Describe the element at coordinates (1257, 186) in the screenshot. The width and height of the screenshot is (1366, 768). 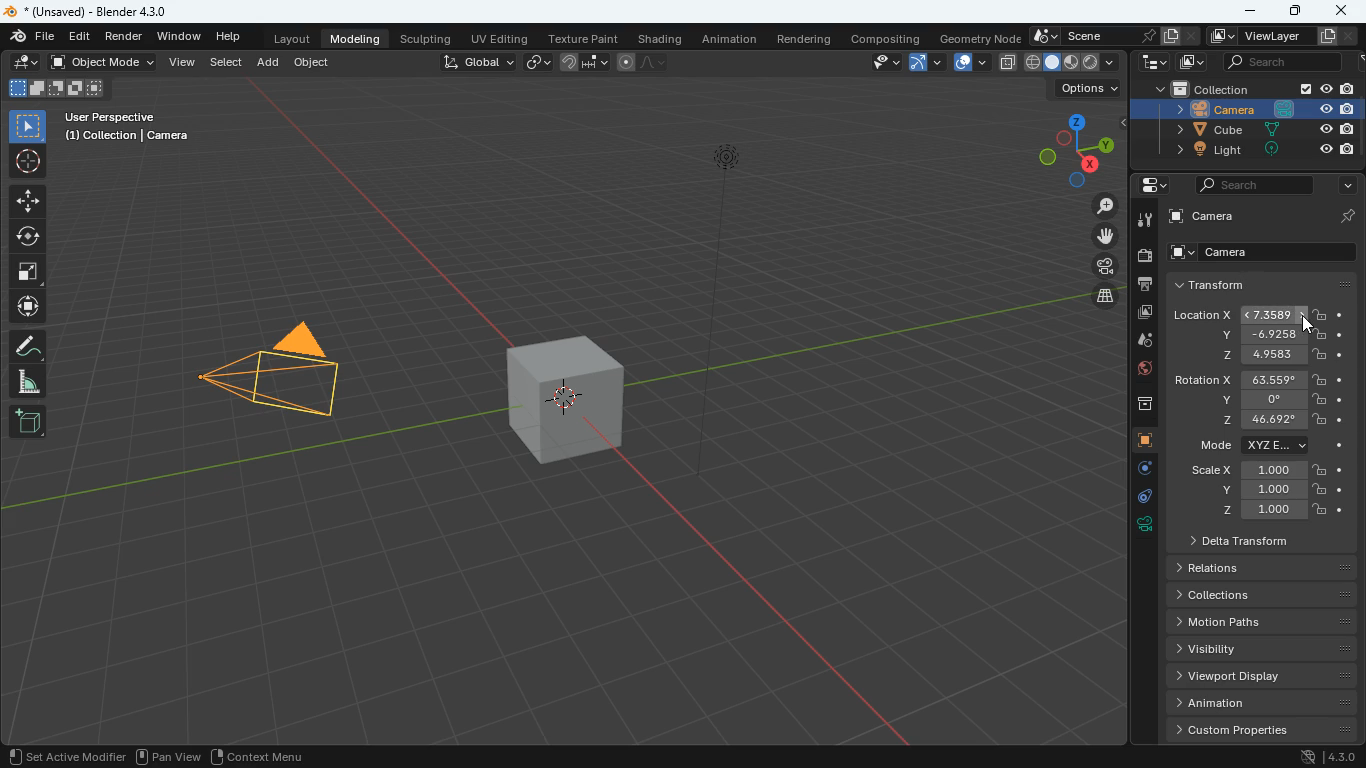
I see `search` at that location.